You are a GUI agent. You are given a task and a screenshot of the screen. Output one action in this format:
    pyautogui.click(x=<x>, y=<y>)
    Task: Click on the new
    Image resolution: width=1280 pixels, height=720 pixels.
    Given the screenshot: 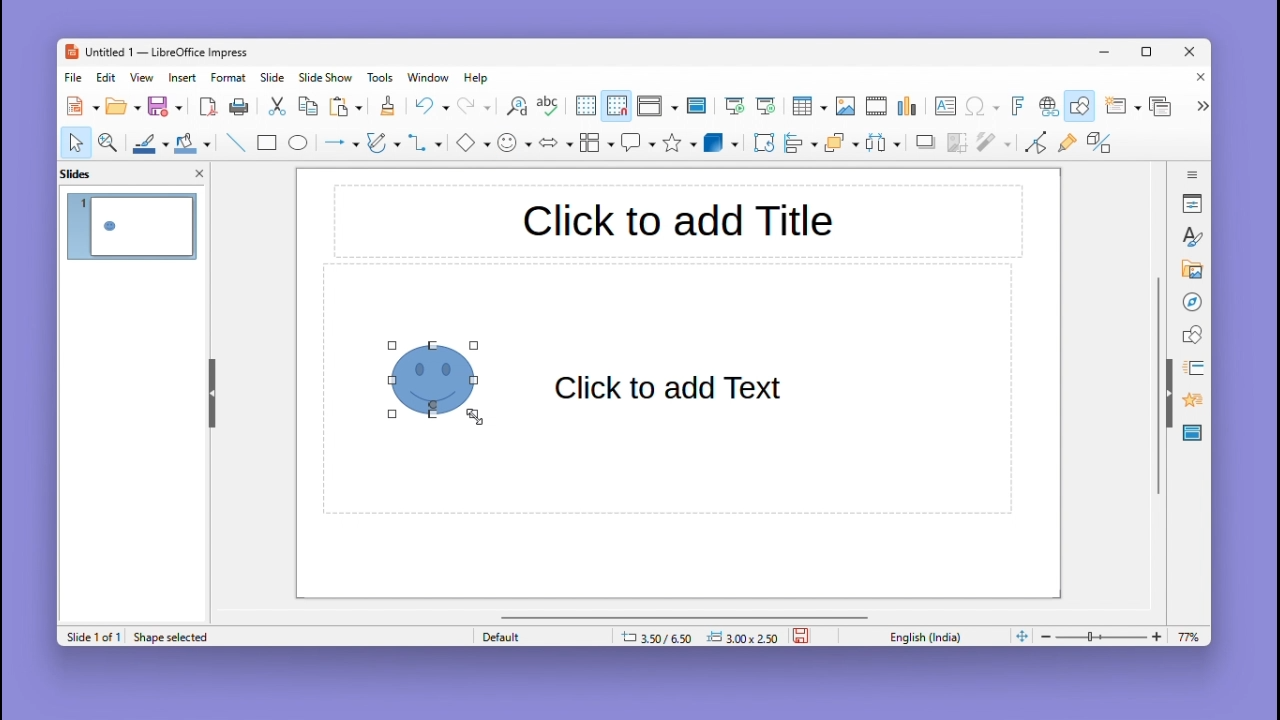 What is the action you would take?
    pyautogui.click(x=84, y=106)
    